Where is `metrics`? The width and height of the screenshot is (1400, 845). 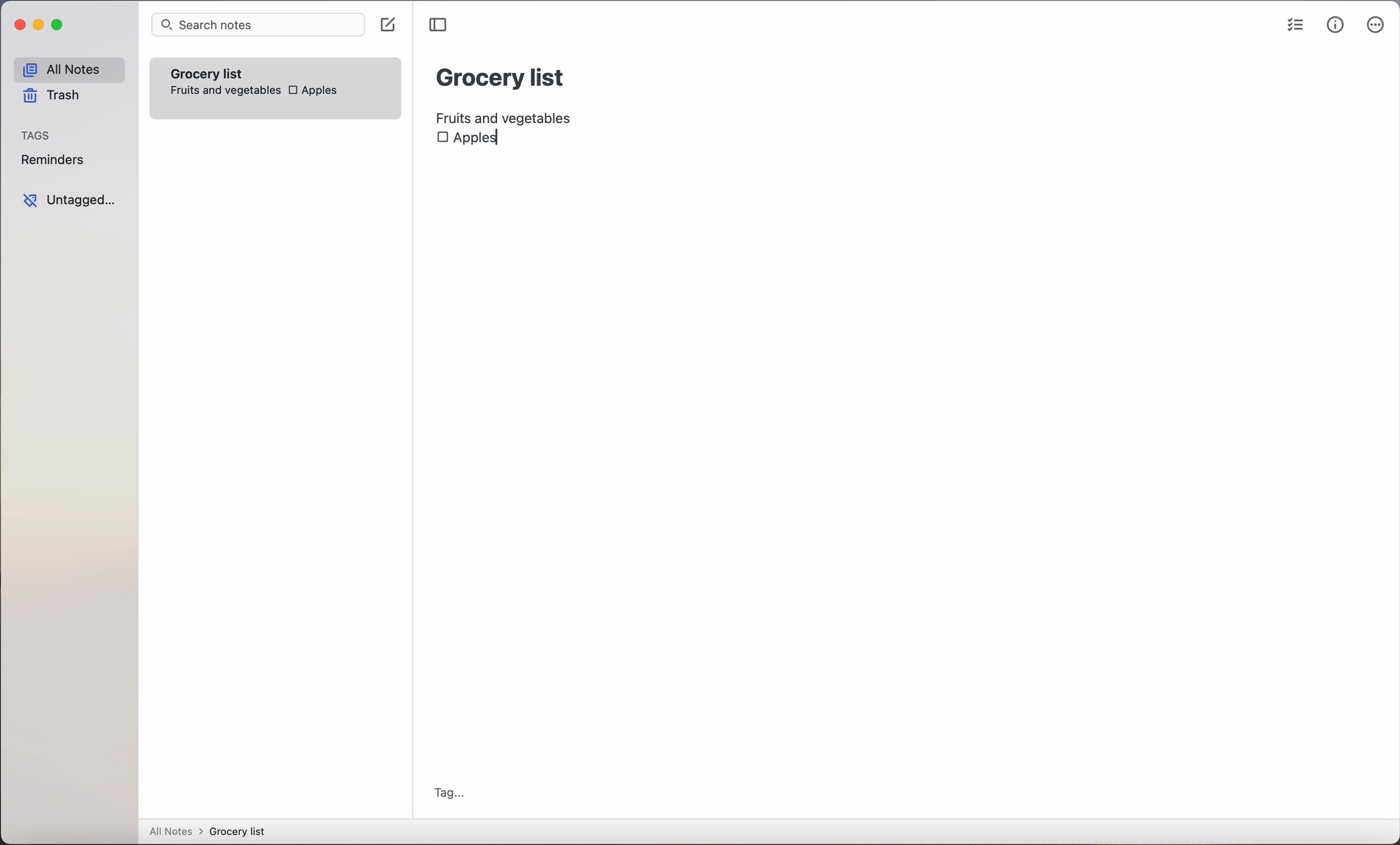
metrics is located at coordinates (1335, 26).